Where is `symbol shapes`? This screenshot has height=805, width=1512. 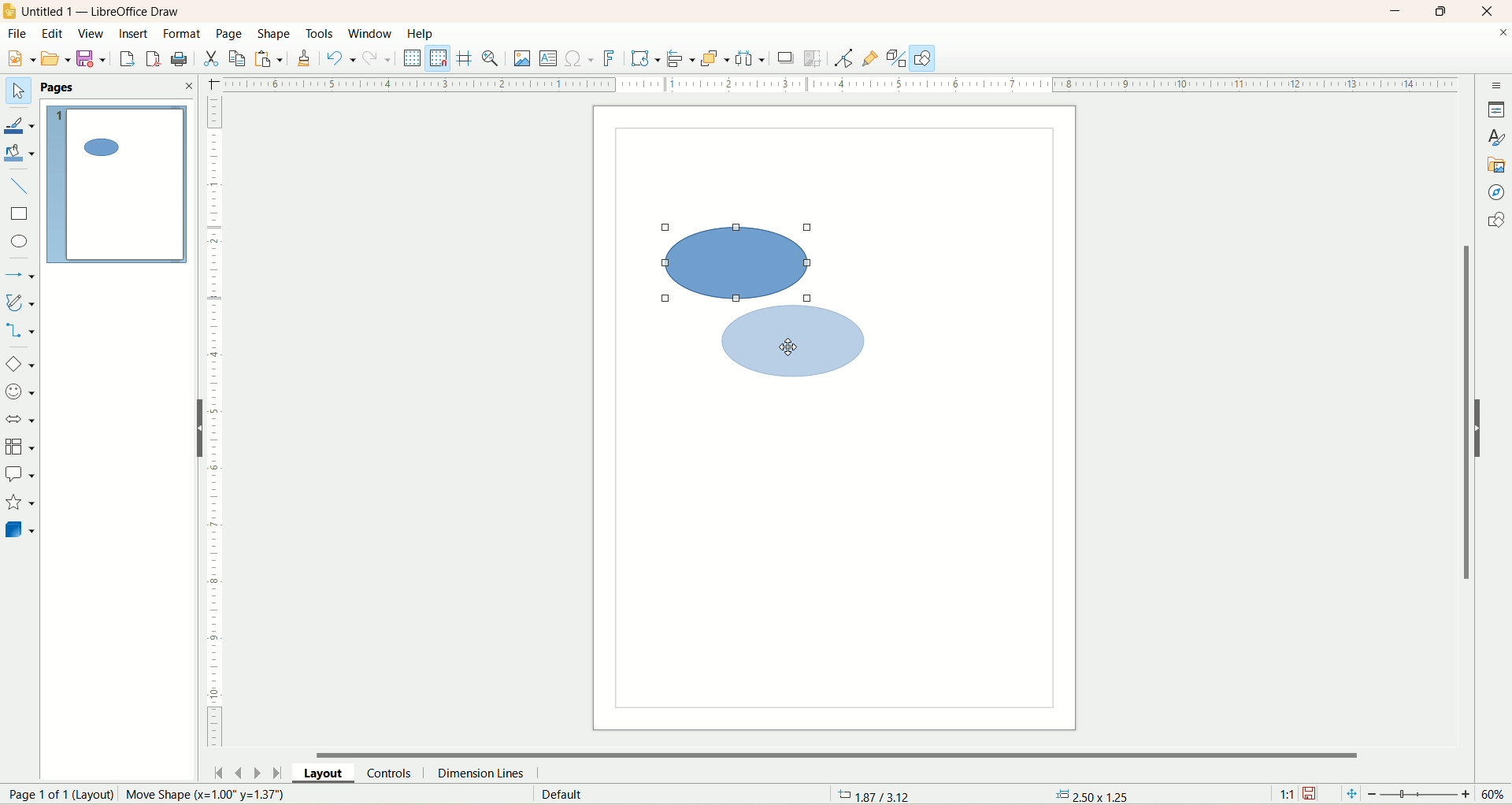 symbol shapes is located at coordinates (19, 393).